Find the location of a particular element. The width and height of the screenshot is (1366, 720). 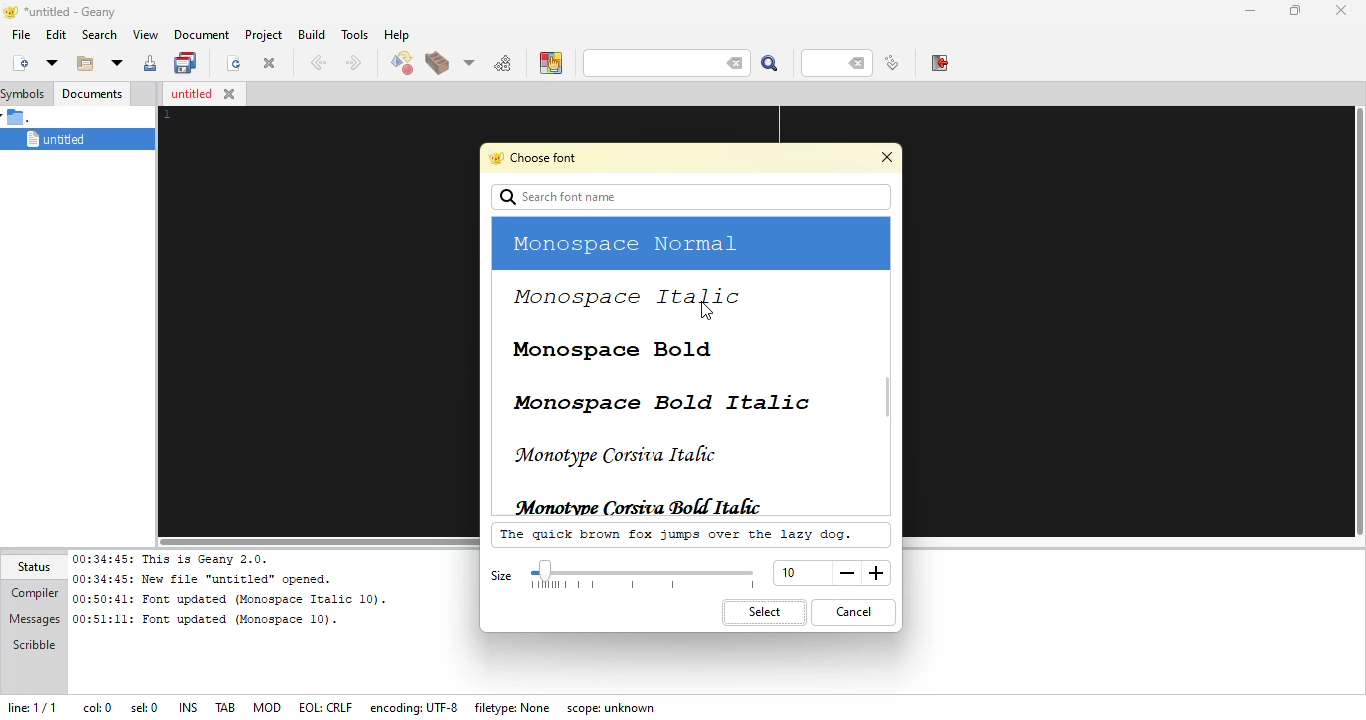

search is located at coordinates (768, 63).